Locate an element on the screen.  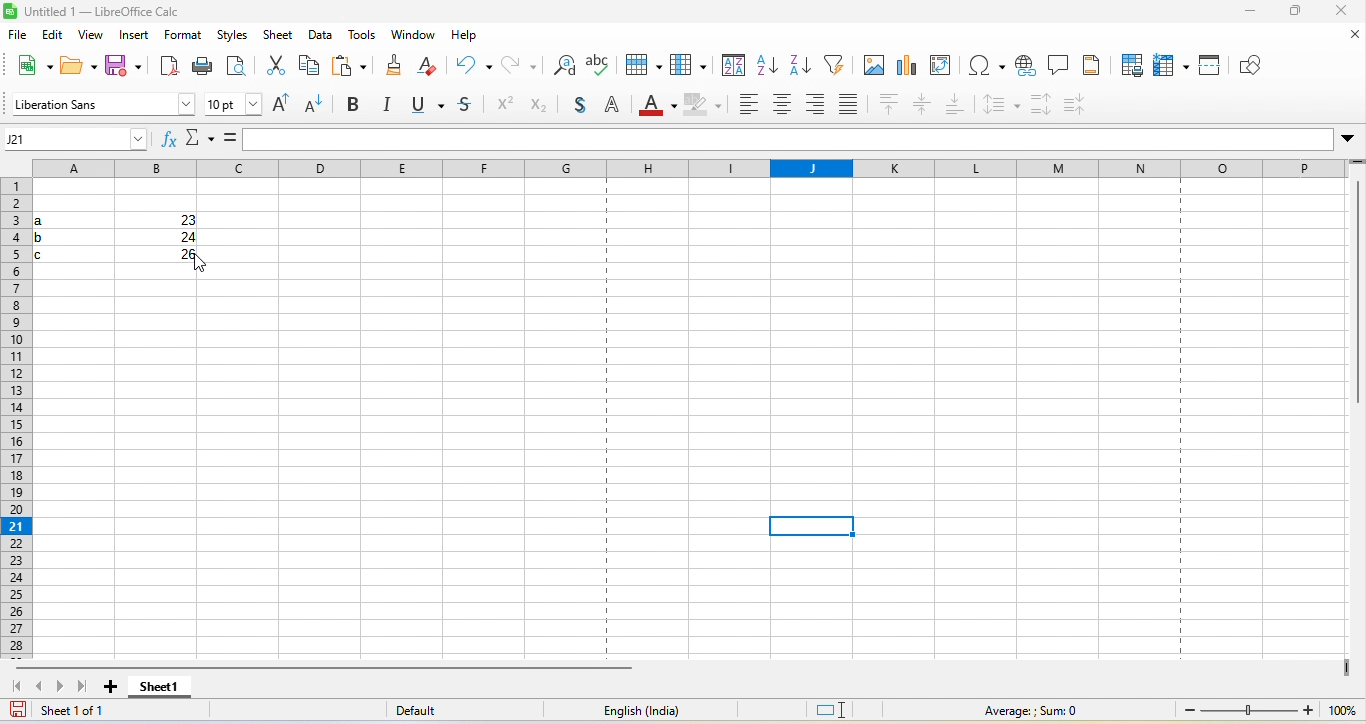
maximize is located at coordinates (1289, 13).